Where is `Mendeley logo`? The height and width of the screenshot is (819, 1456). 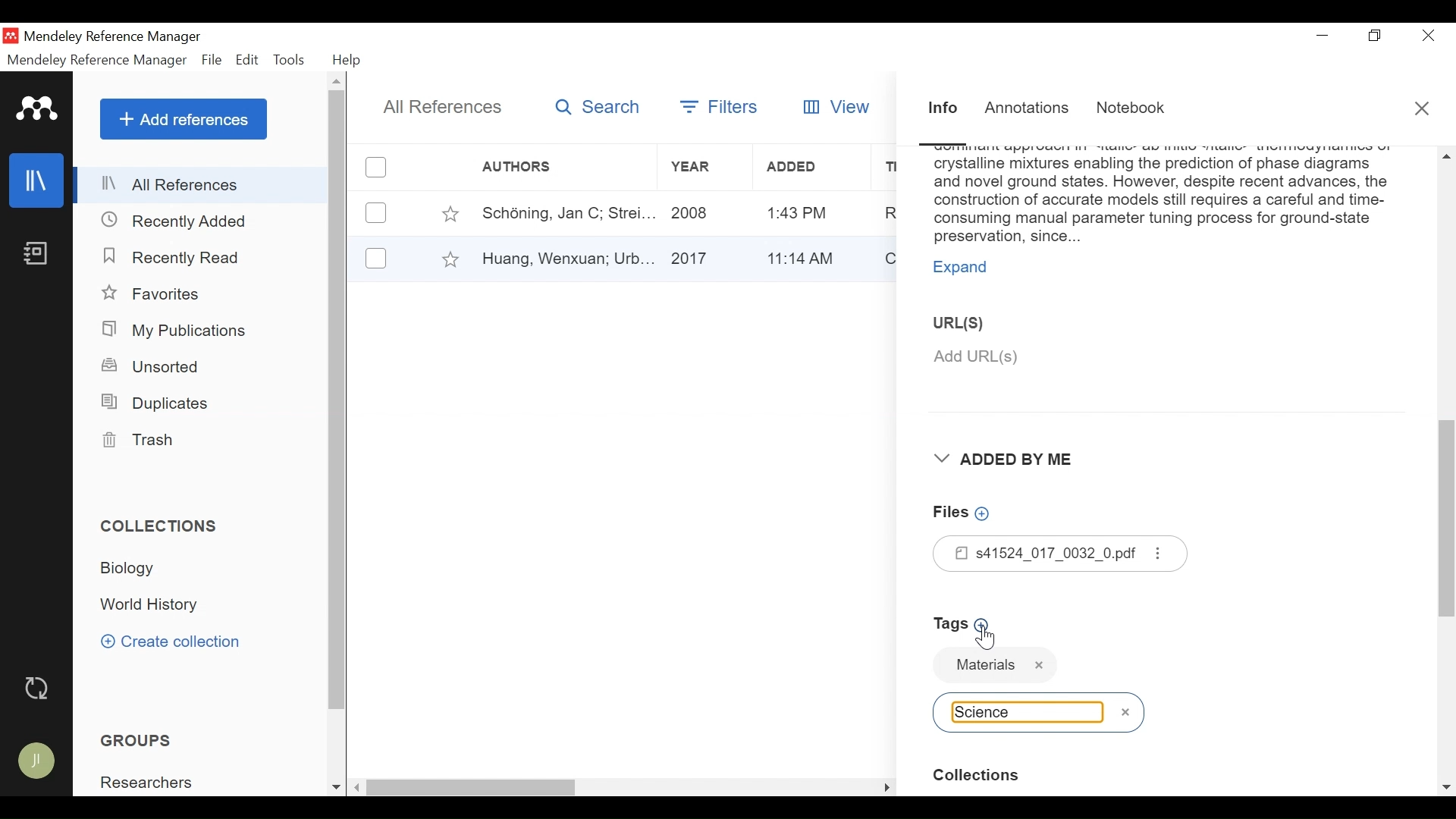
Mendeley logo is located at coordinates (39, 109).